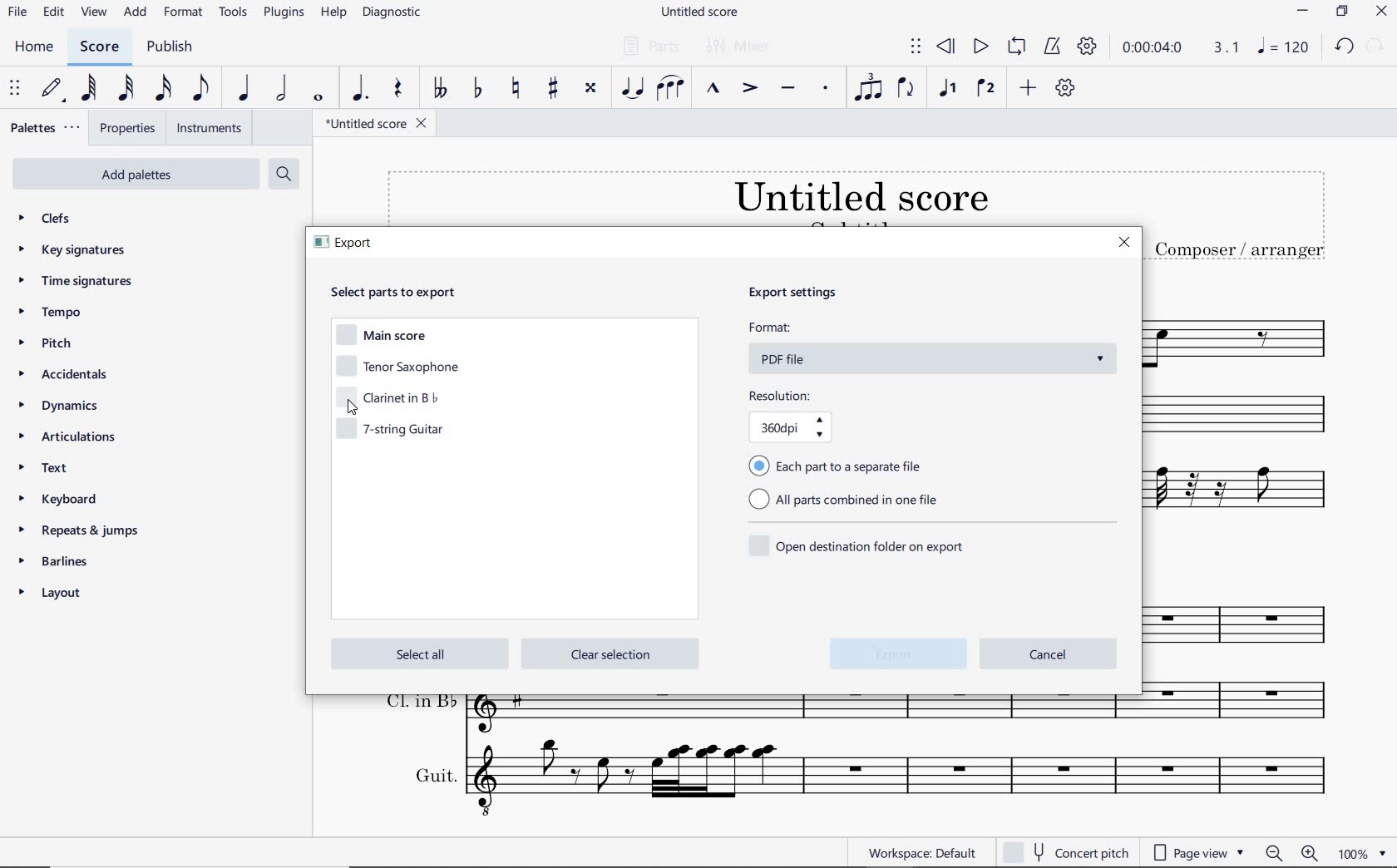 This screenshot has height=868, width=1397. I want to click on accidentals, so click(67, 377).